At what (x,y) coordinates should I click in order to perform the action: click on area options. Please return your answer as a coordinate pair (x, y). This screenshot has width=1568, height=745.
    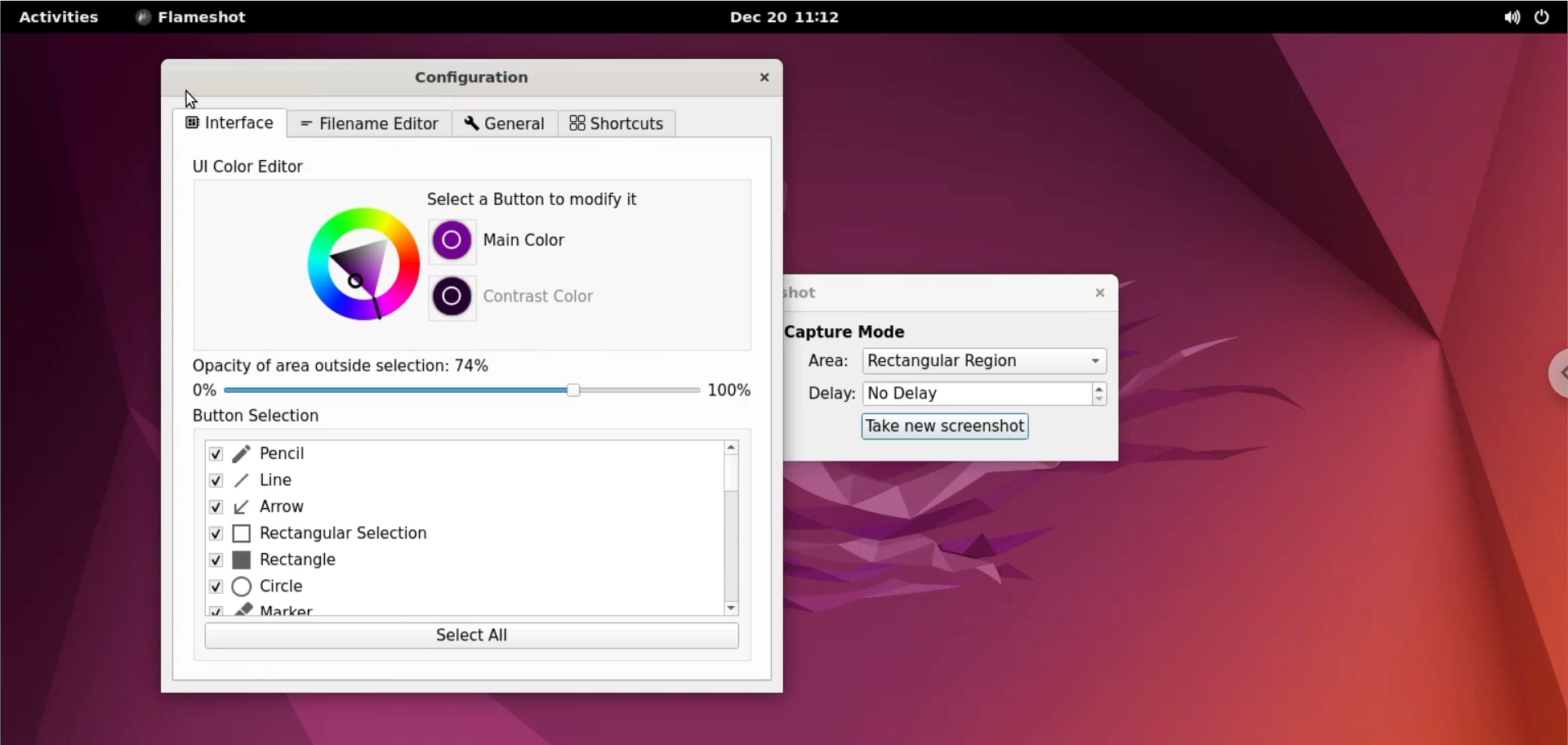
    Looking at the image, I should click on (984, 360).